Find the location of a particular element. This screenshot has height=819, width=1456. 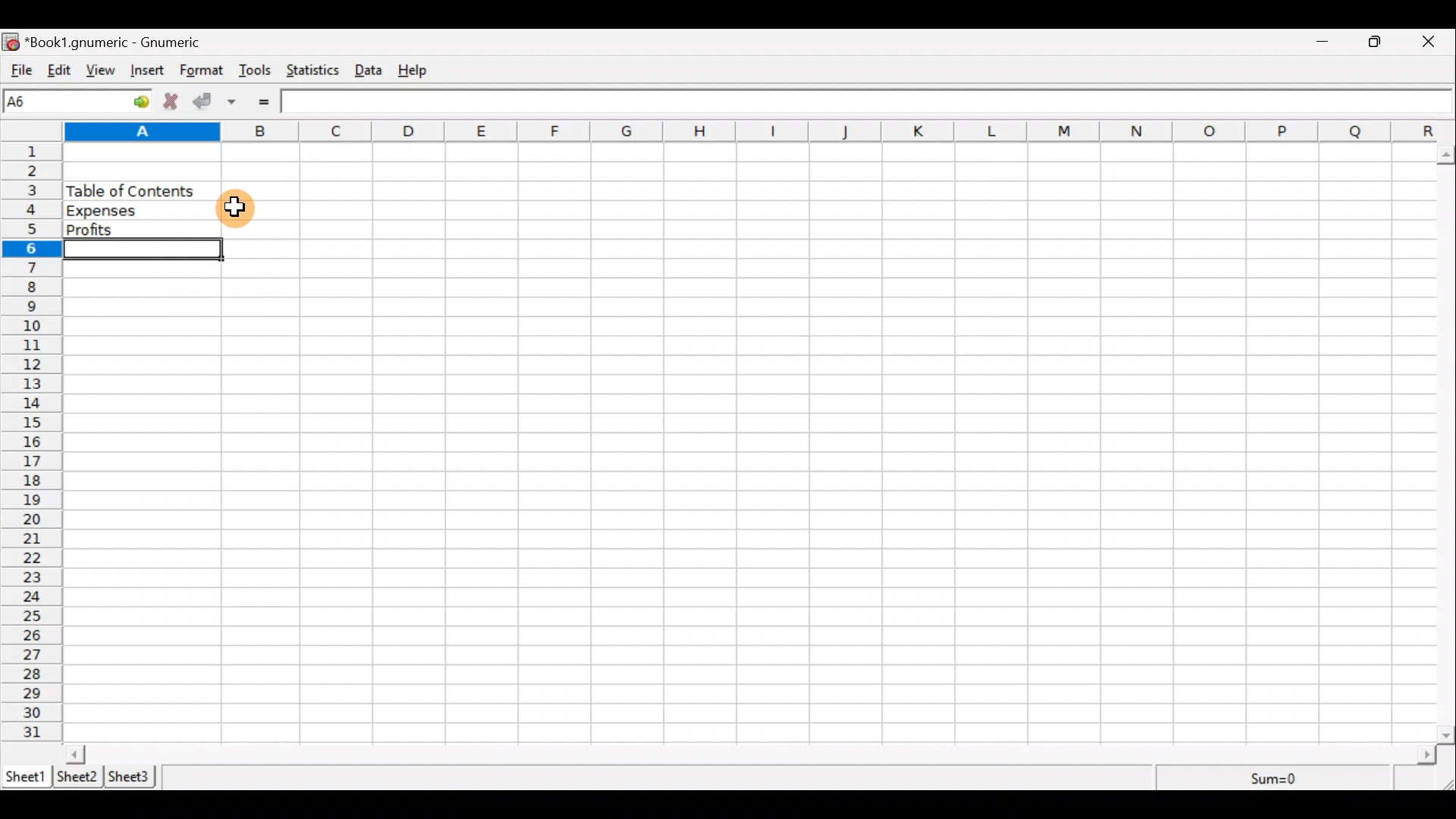

Cells is located at coordinates (852, 441).